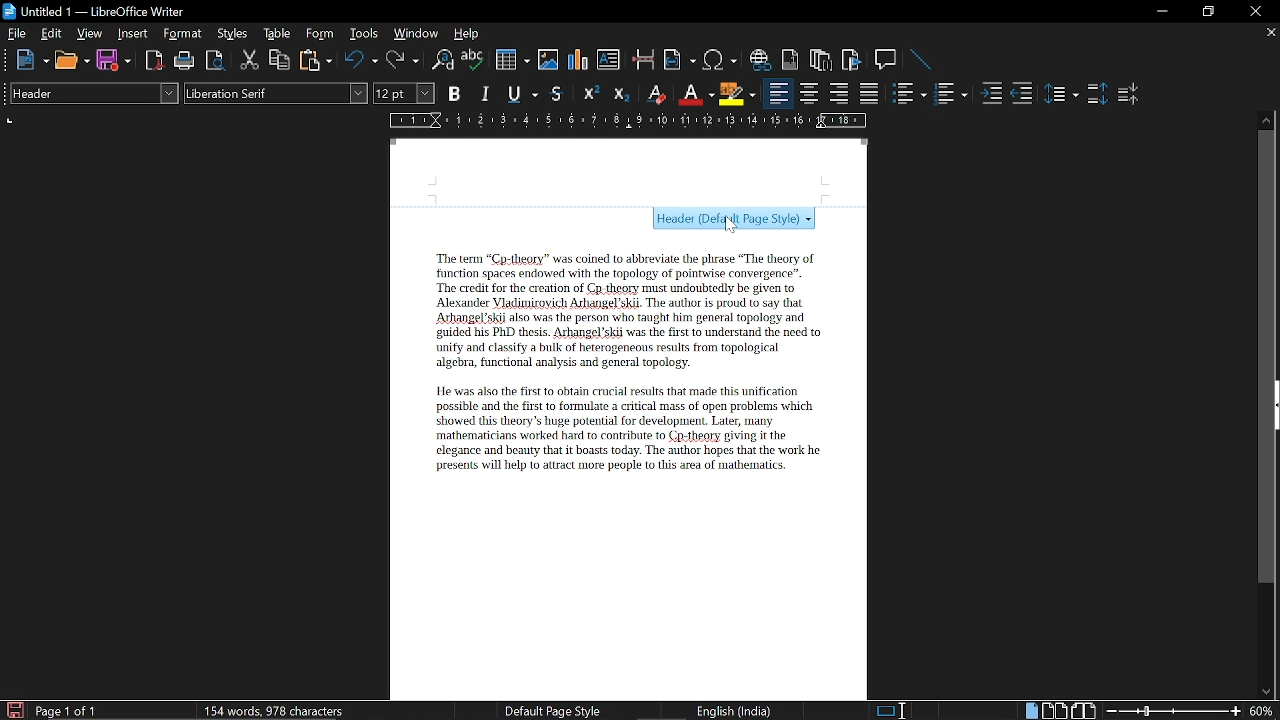 The width and height of the screenshot is (1280, 720). Describe the element at coordinates (1054, 711) in the screenshot. I see `Multiple page view` at that location.